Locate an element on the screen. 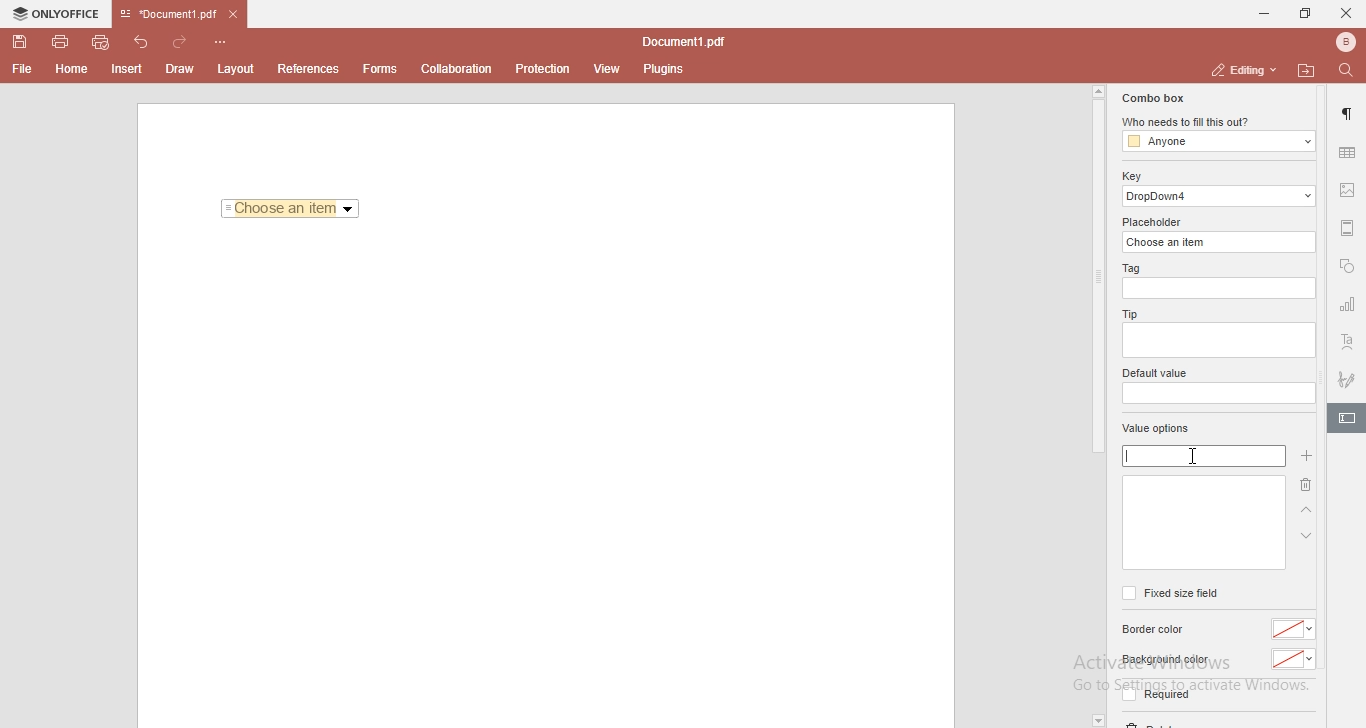 The height and width of the screenshot is (728, 1366). paragraph is located at coordinates (1349, 114).